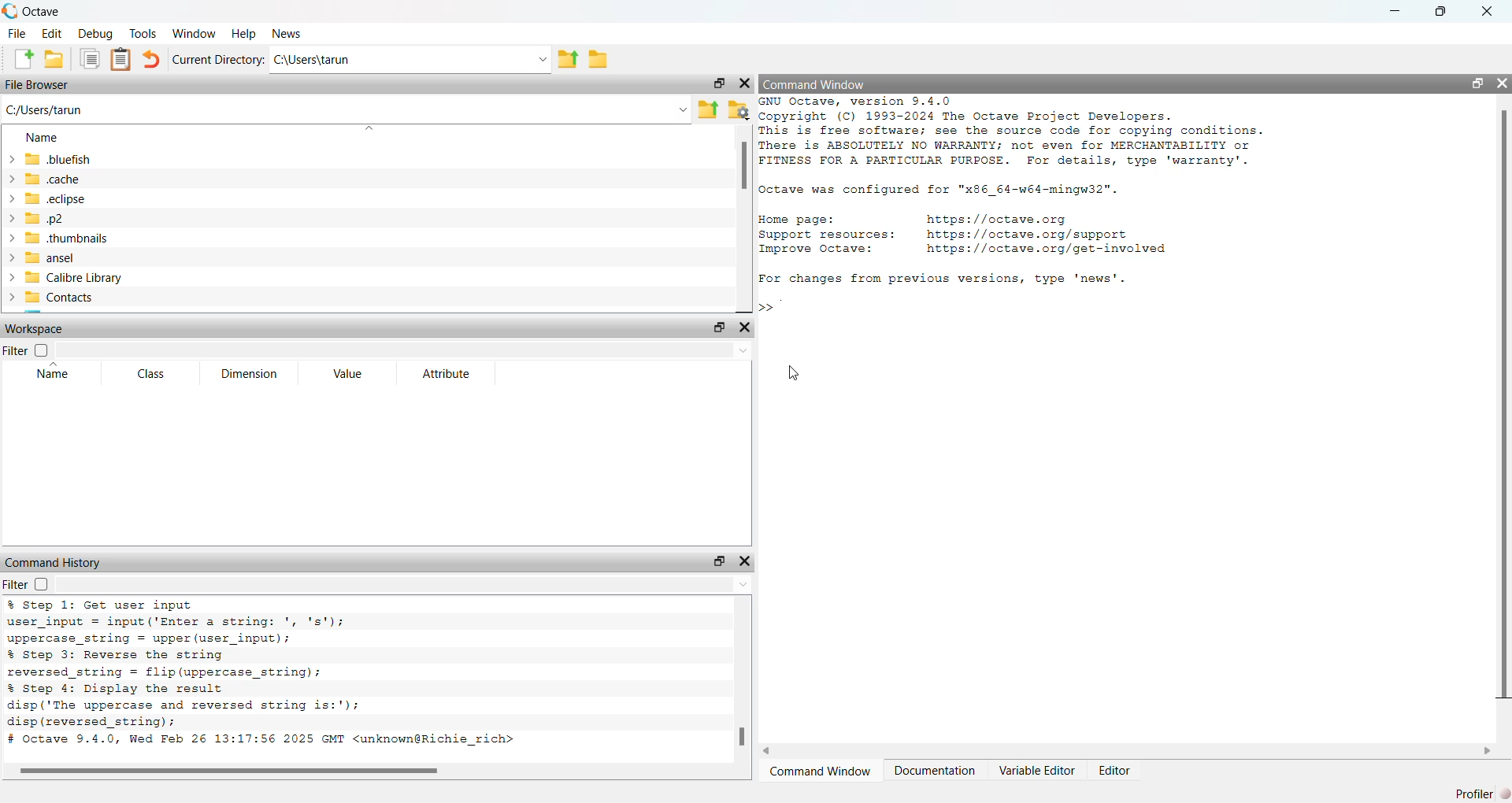  Describe the element at coordinates (80, 179) in the screenshot. I see `.cache` at that location.